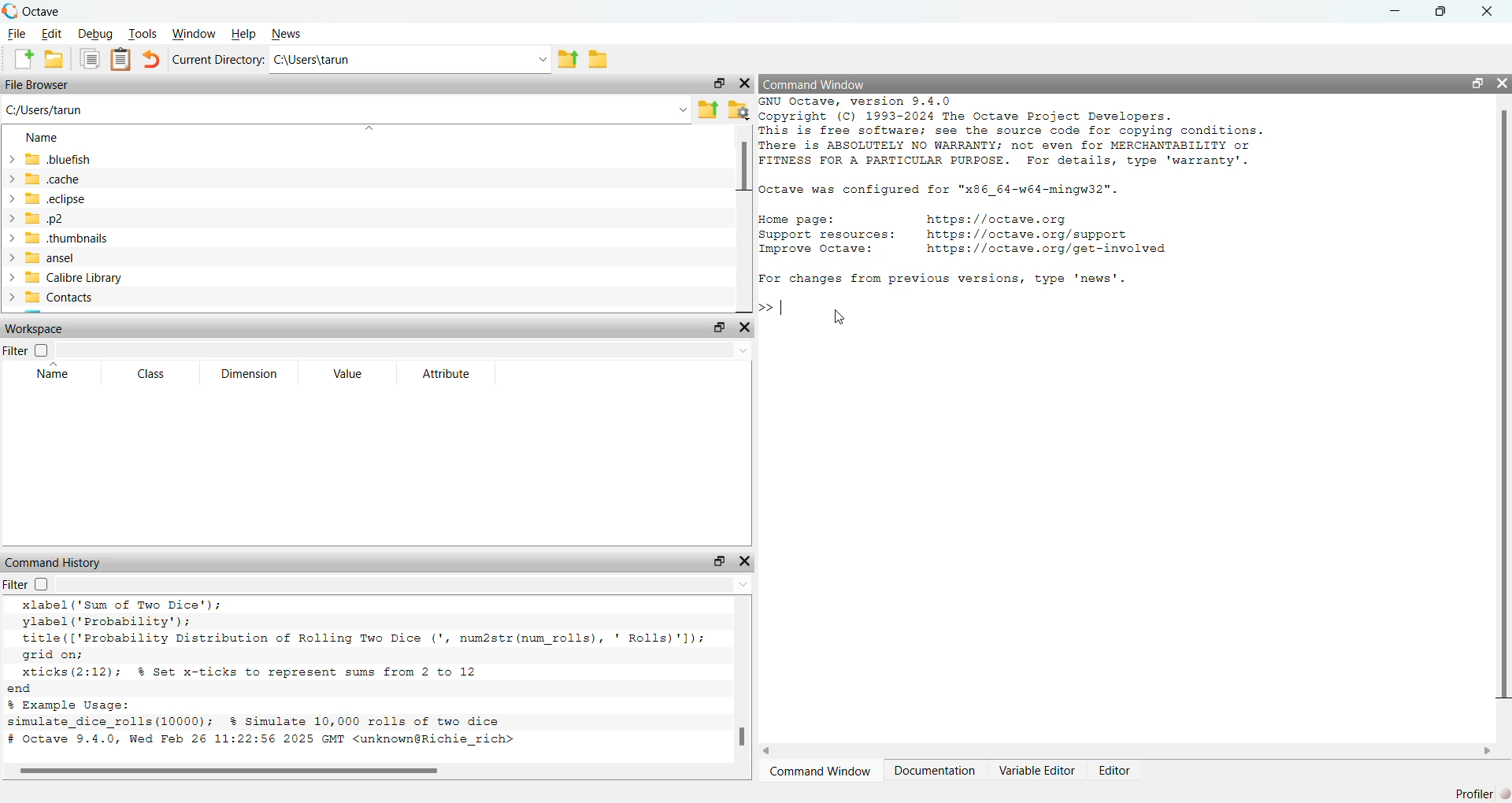 The width and height of the screenshot is (1512, 803). What do you see at coordinates (228, 772) in the screenshot?
I see `Scrollbar` at bounding box center [228, 772].